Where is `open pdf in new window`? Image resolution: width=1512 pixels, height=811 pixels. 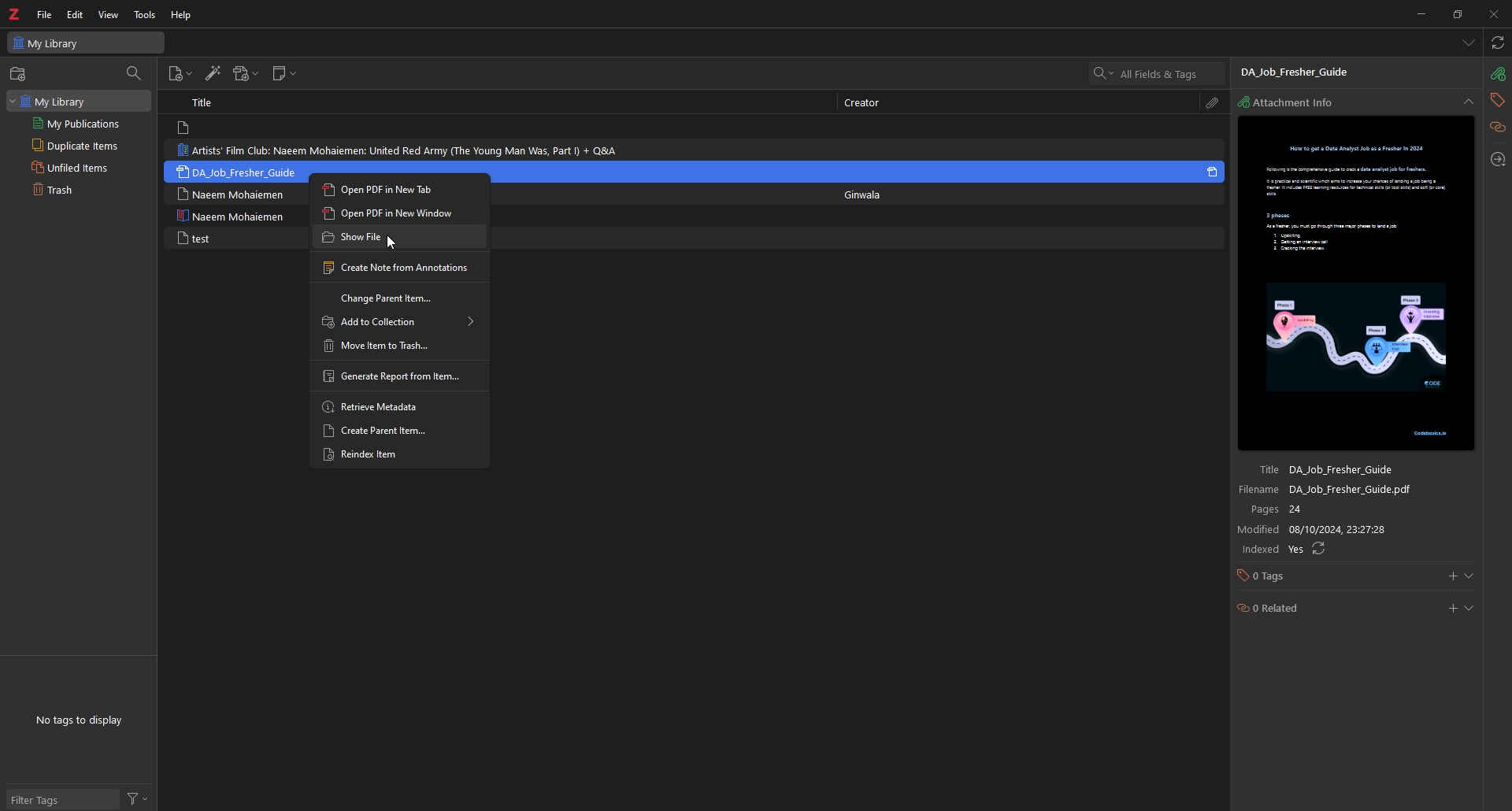
open pdf in new window is located at coordinates (398, 213).